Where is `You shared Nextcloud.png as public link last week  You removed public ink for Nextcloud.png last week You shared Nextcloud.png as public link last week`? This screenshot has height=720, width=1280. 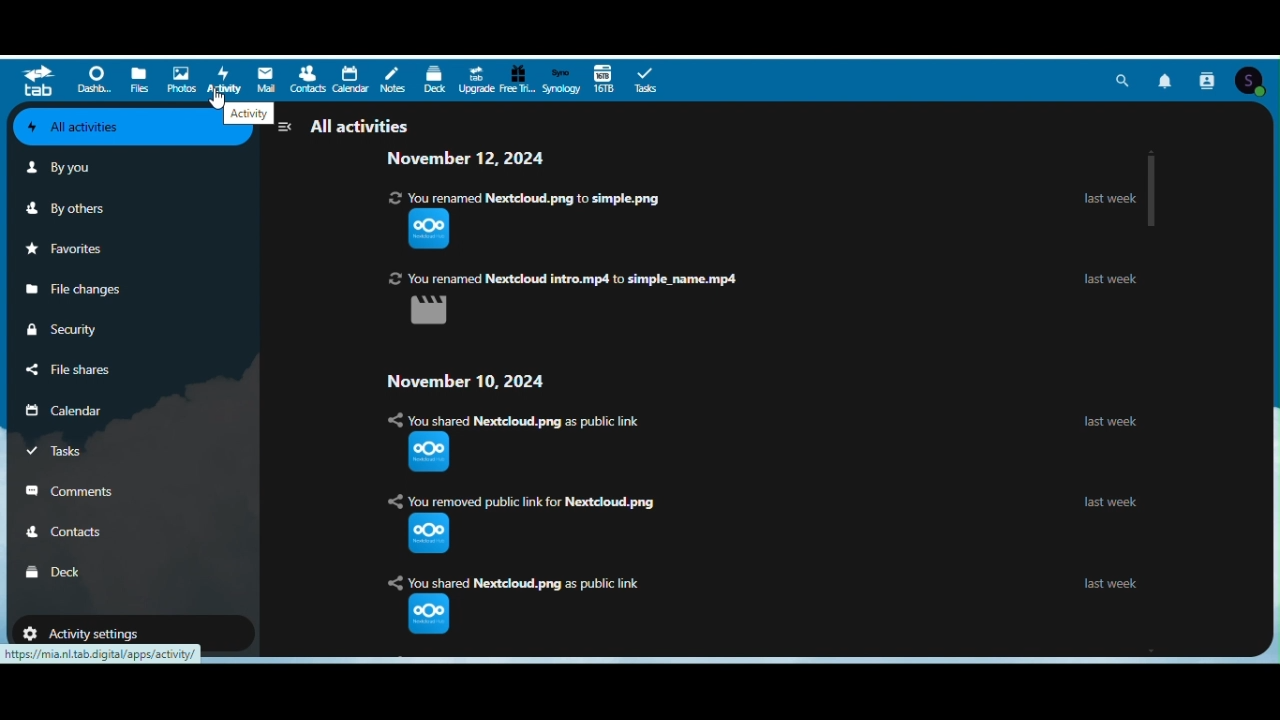 You shared Nextcloud.png as public link last week  You removed public ink for Nextcloud.png last week You shared Nextcloud.png as public link last week is located at coordinates (771, 525).